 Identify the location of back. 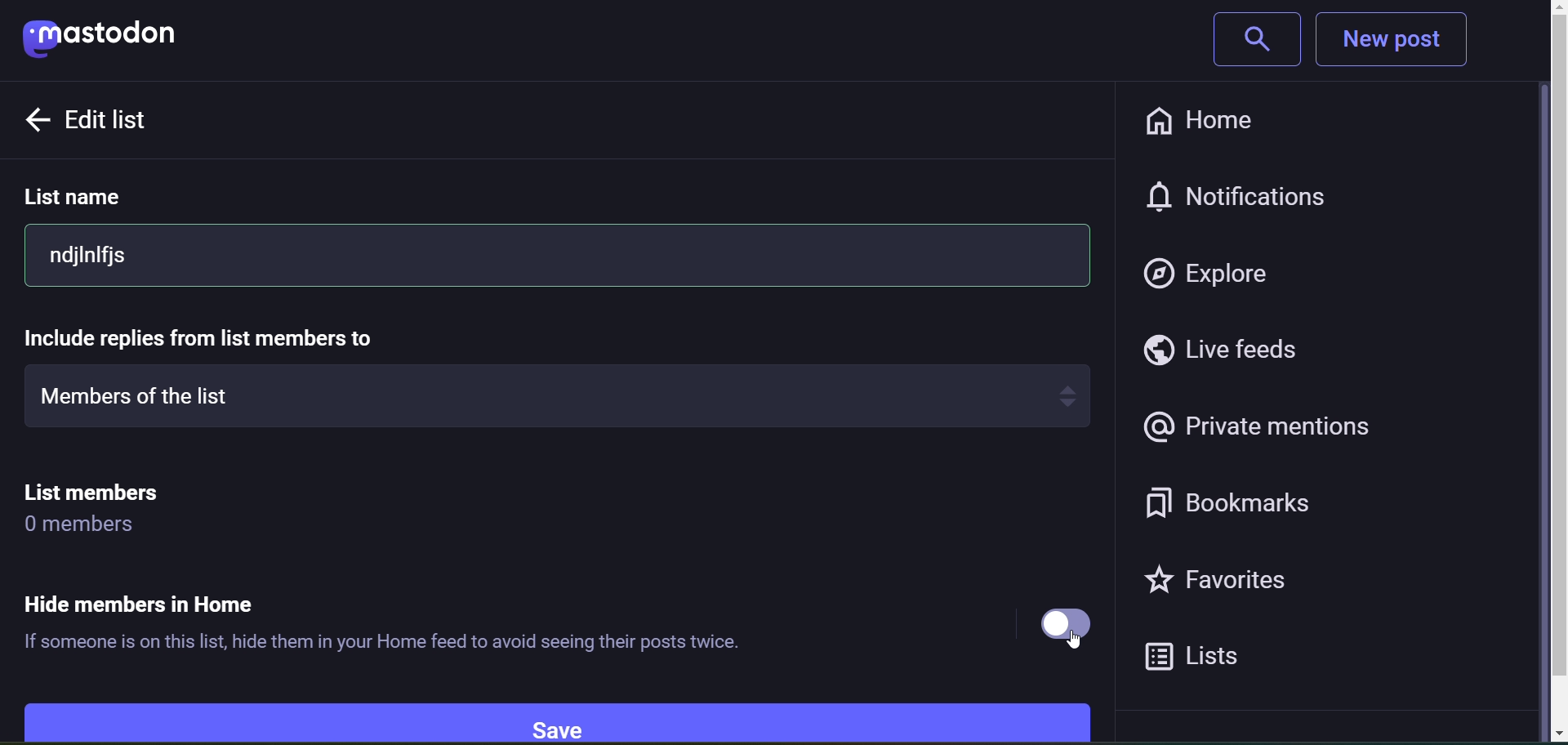
(33, 119).